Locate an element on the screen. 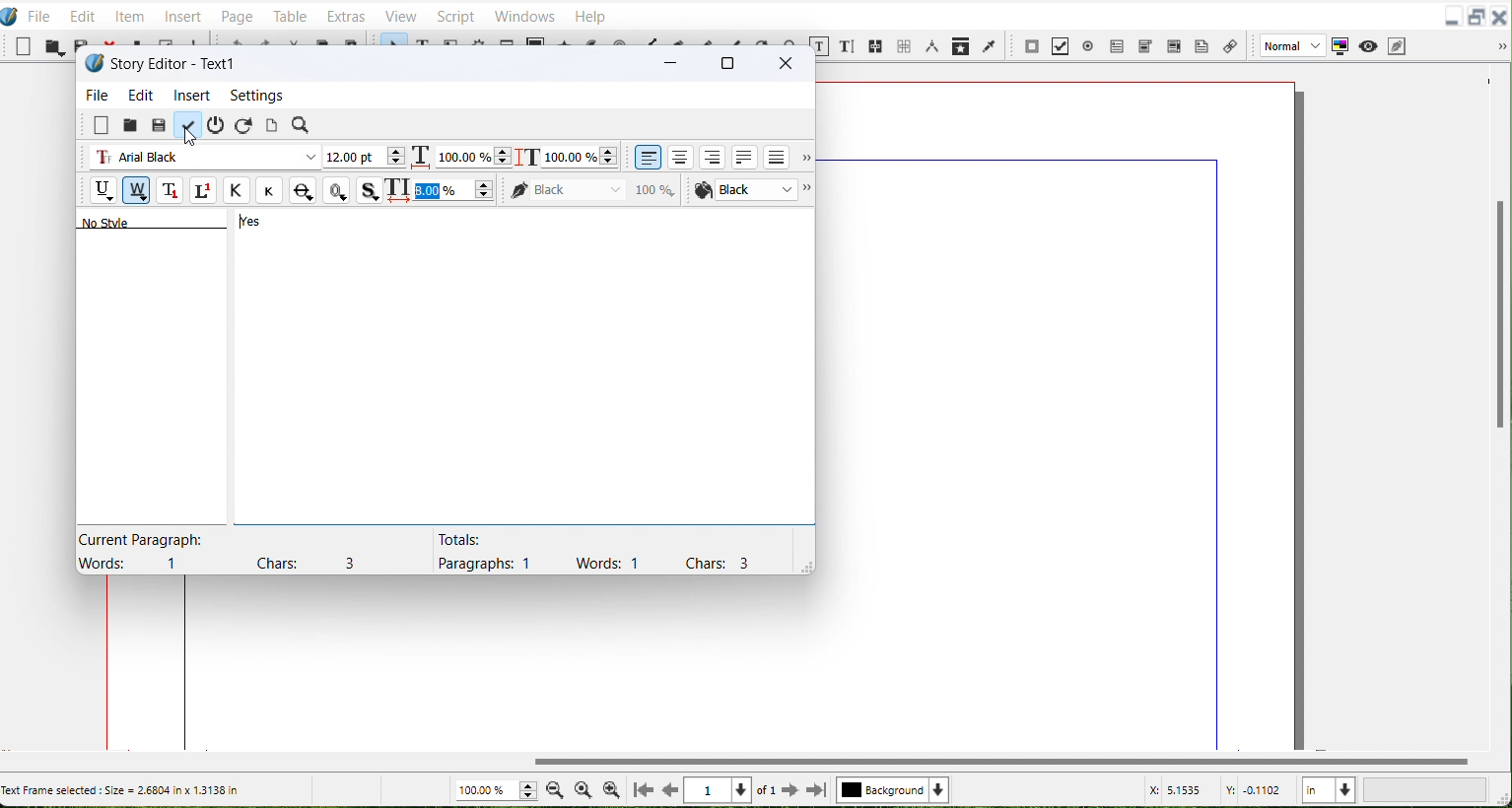 The width and height of the screenshot is (1512, 808). Edit is located at coordinates (82, 14).